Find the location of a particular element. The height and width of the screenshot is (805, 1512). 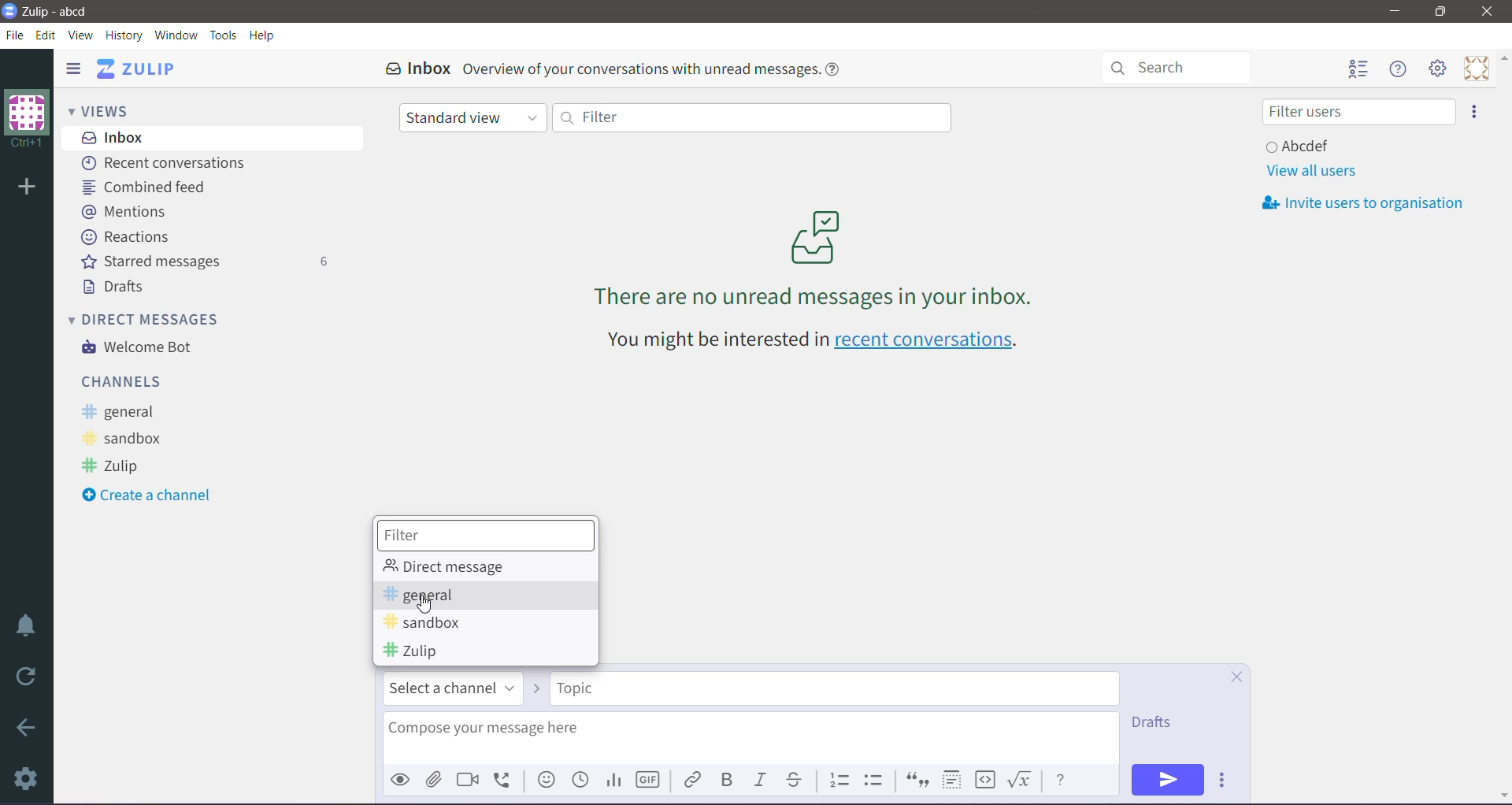

Add video call is located at coordinates (466, 780).